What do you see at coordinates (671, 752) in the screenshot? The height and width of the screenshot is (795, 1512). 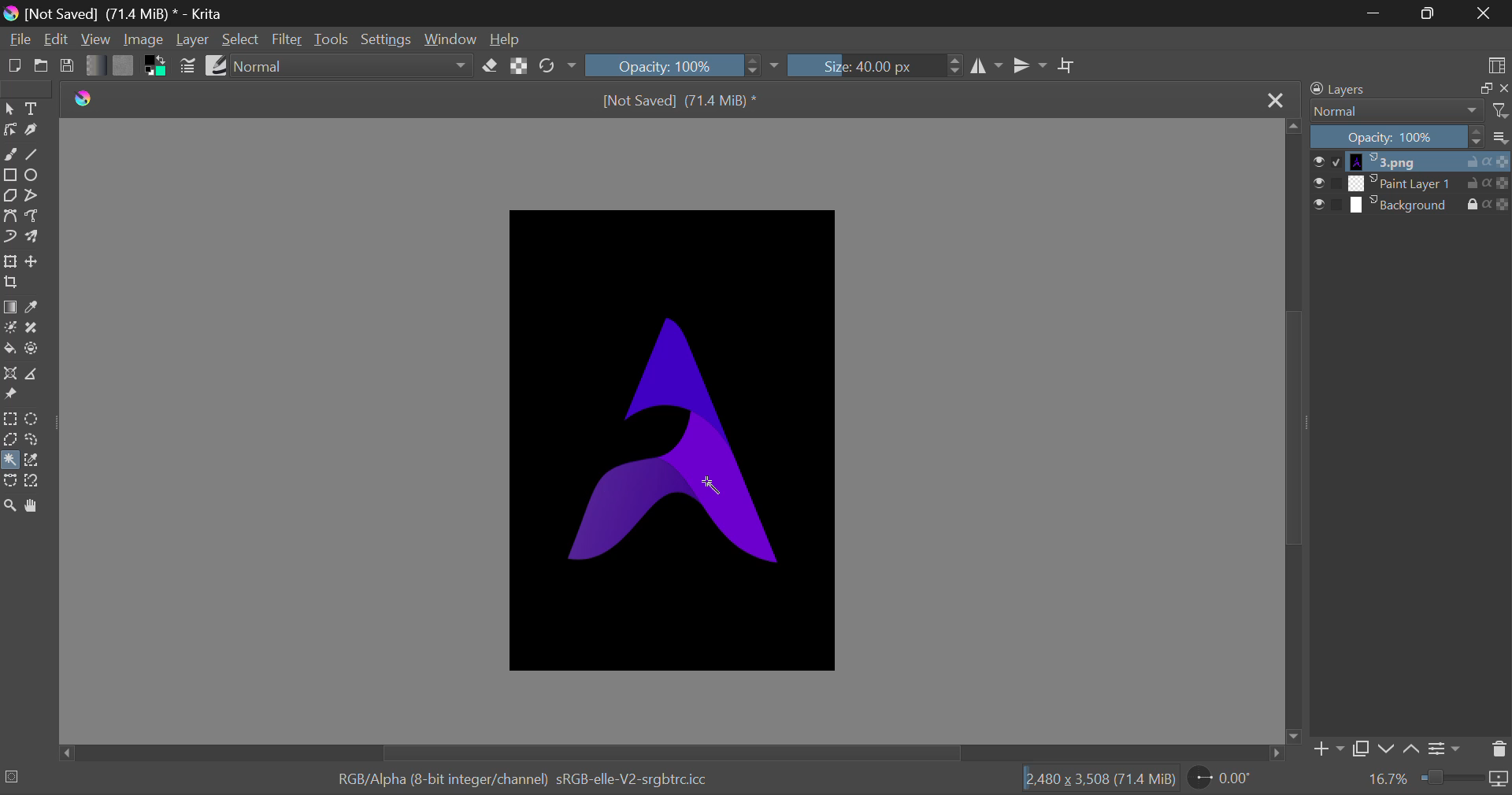 I see `Scroll Bar` at bounding box center [671, 752].